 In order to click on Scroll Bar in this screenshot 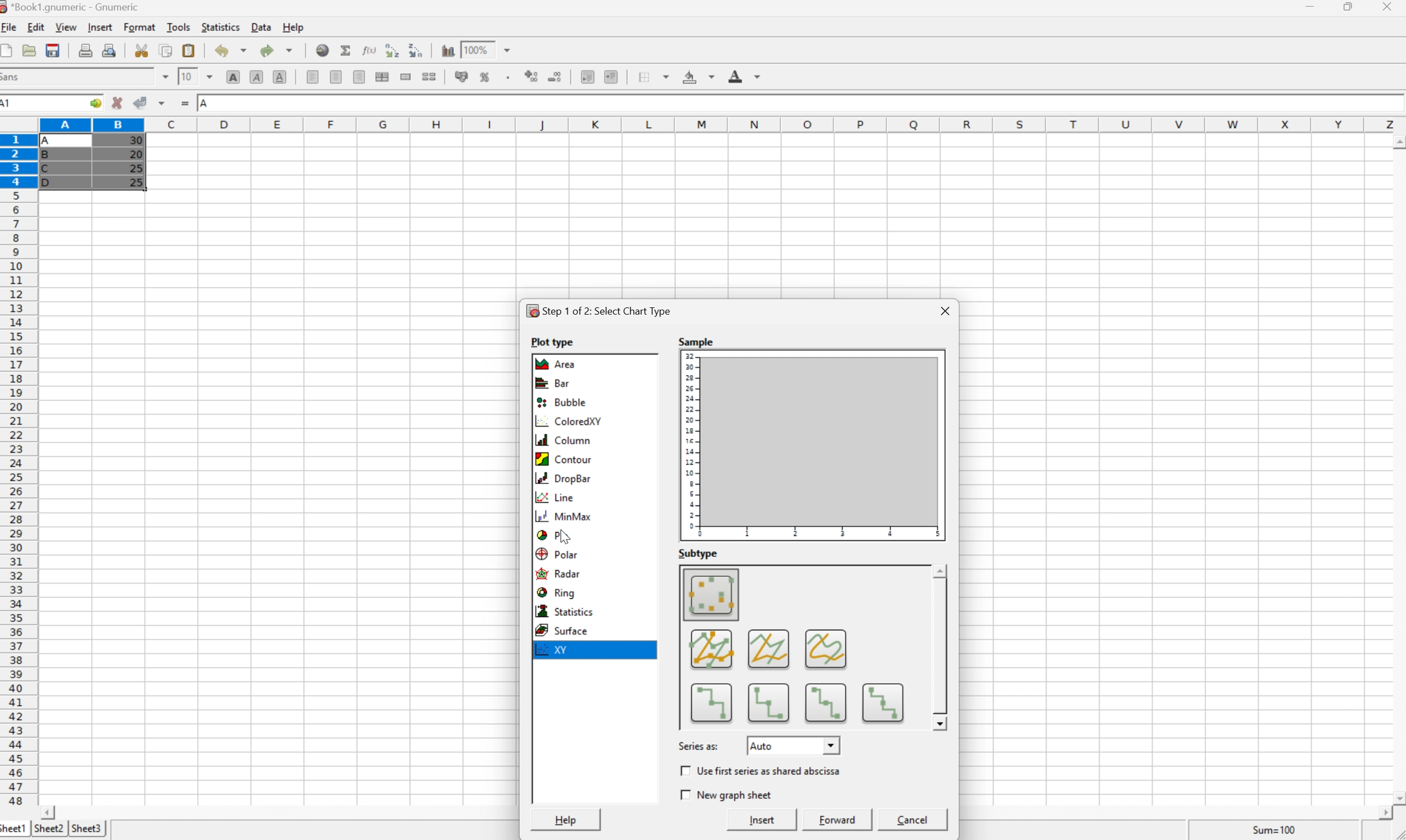, I will do `click(939, 648)`.